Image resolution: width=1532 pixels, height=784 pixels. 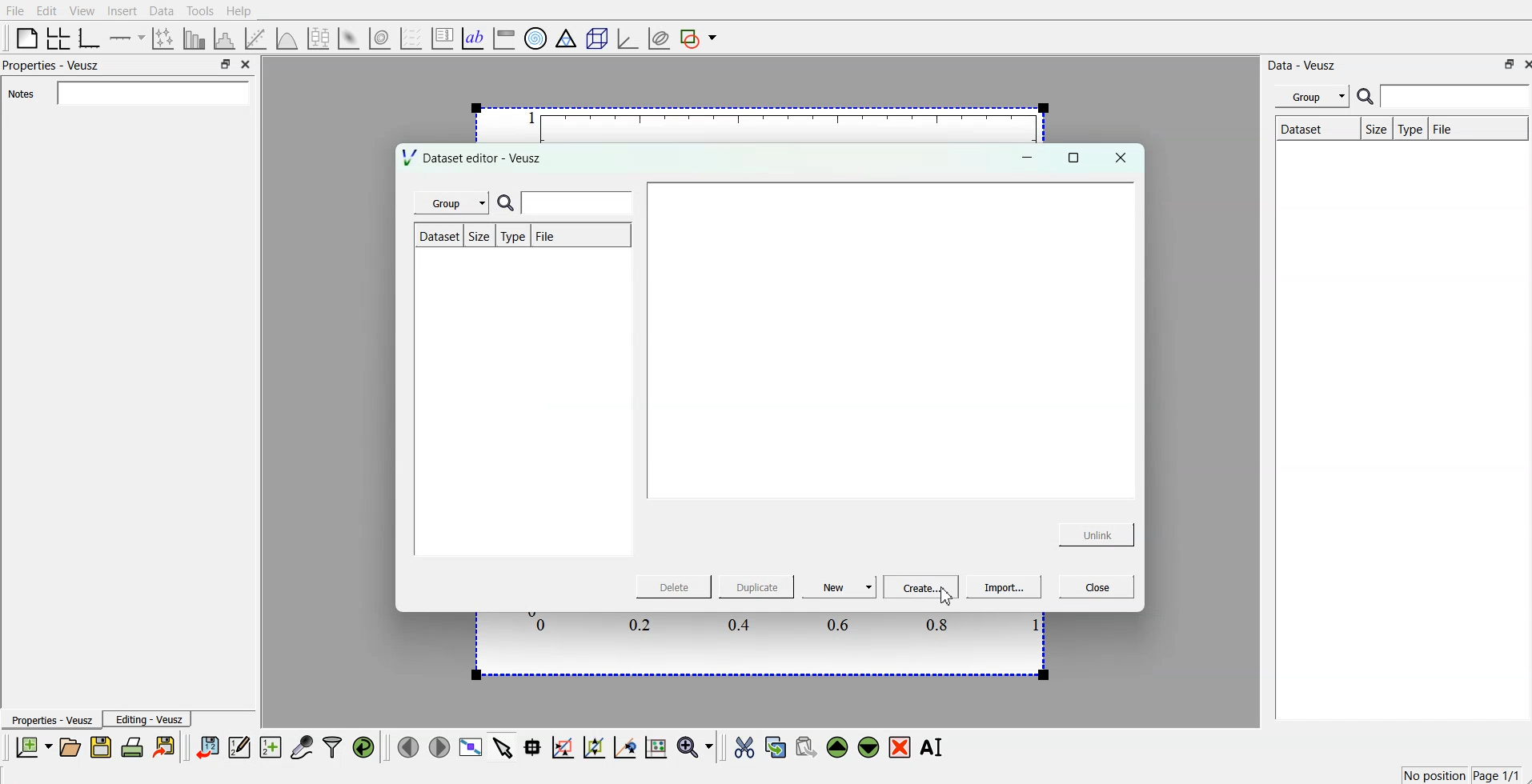 What do you see at coordinates (513, 237) in the screenshot?
I see `Type` at bounding box center [513, 237].